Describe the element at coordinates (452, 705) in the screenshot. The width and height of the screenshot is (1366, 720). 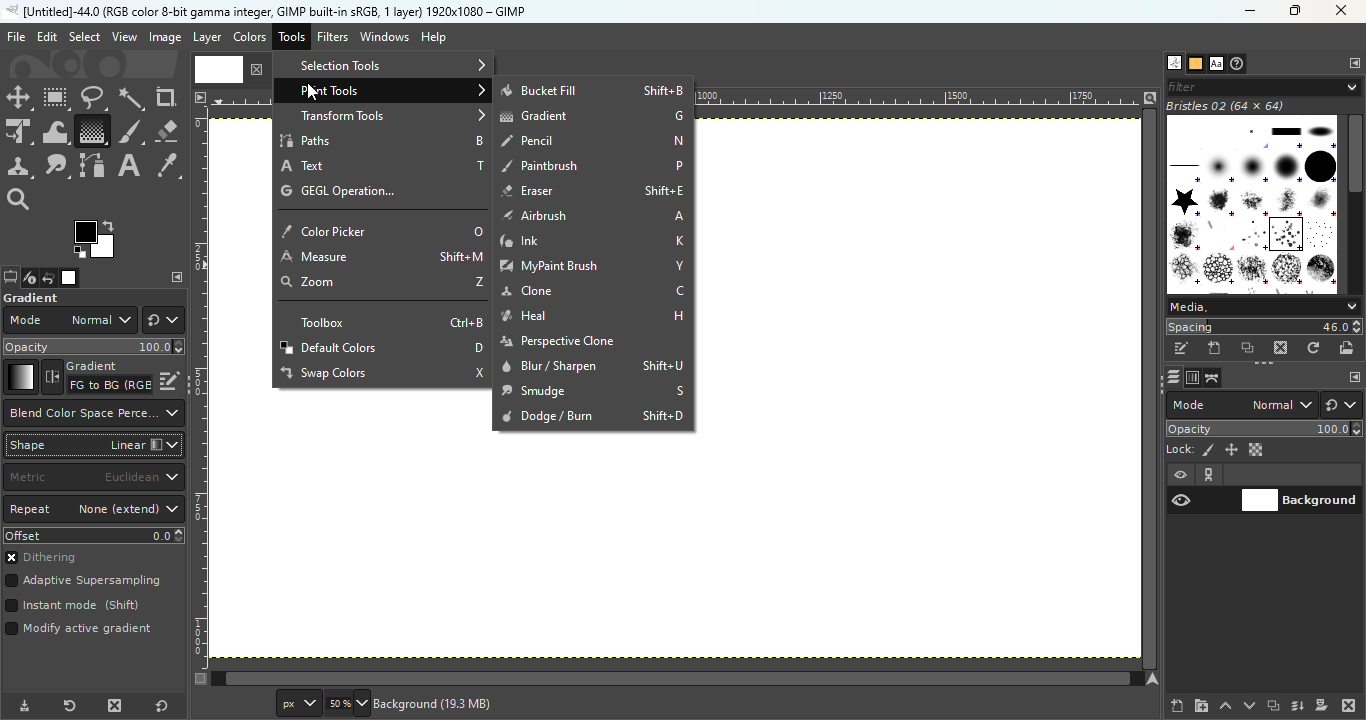
I see `Background` at that location.